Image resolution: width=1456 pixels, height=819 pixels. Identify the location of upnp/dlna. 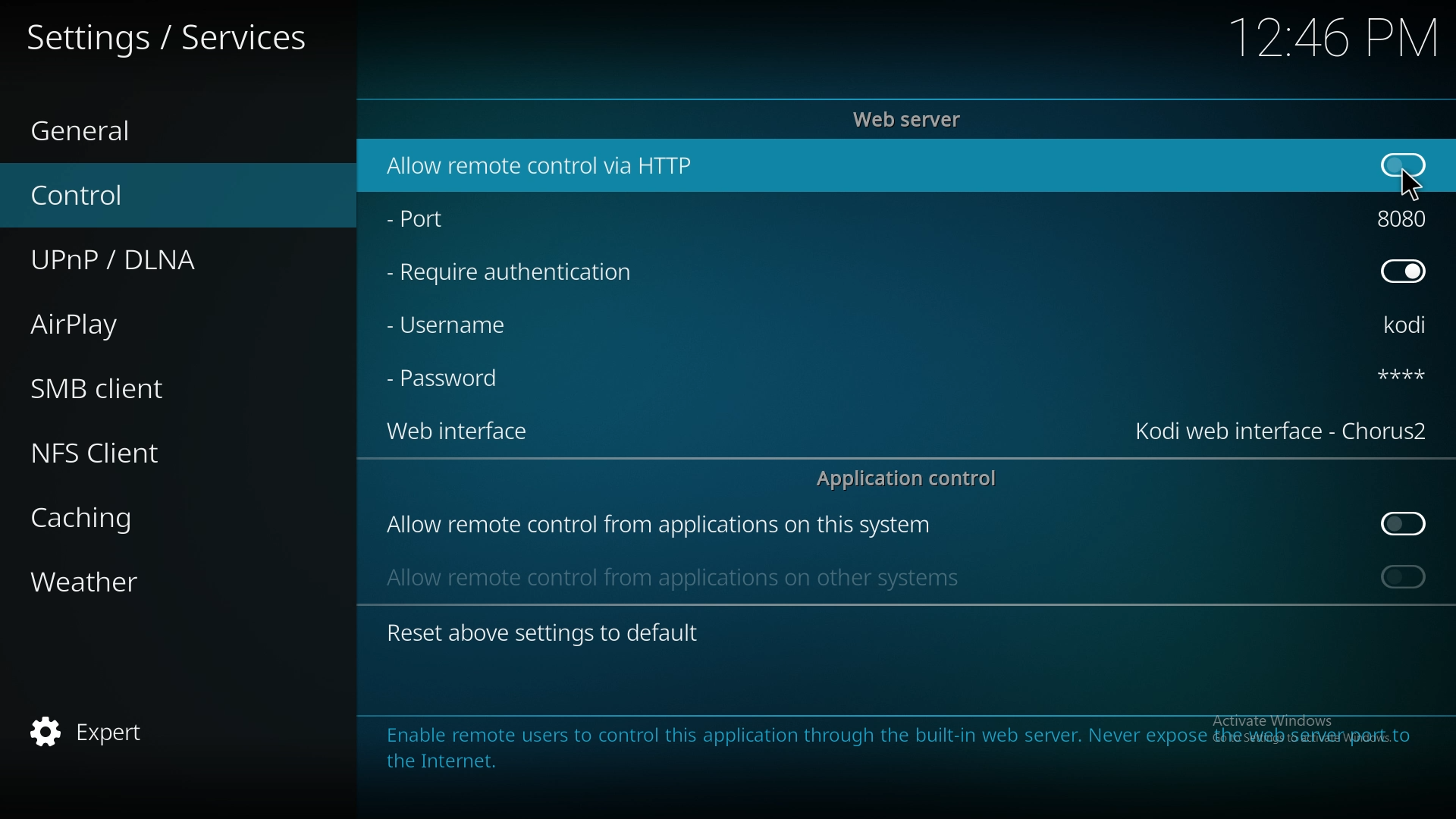
(156, 254).